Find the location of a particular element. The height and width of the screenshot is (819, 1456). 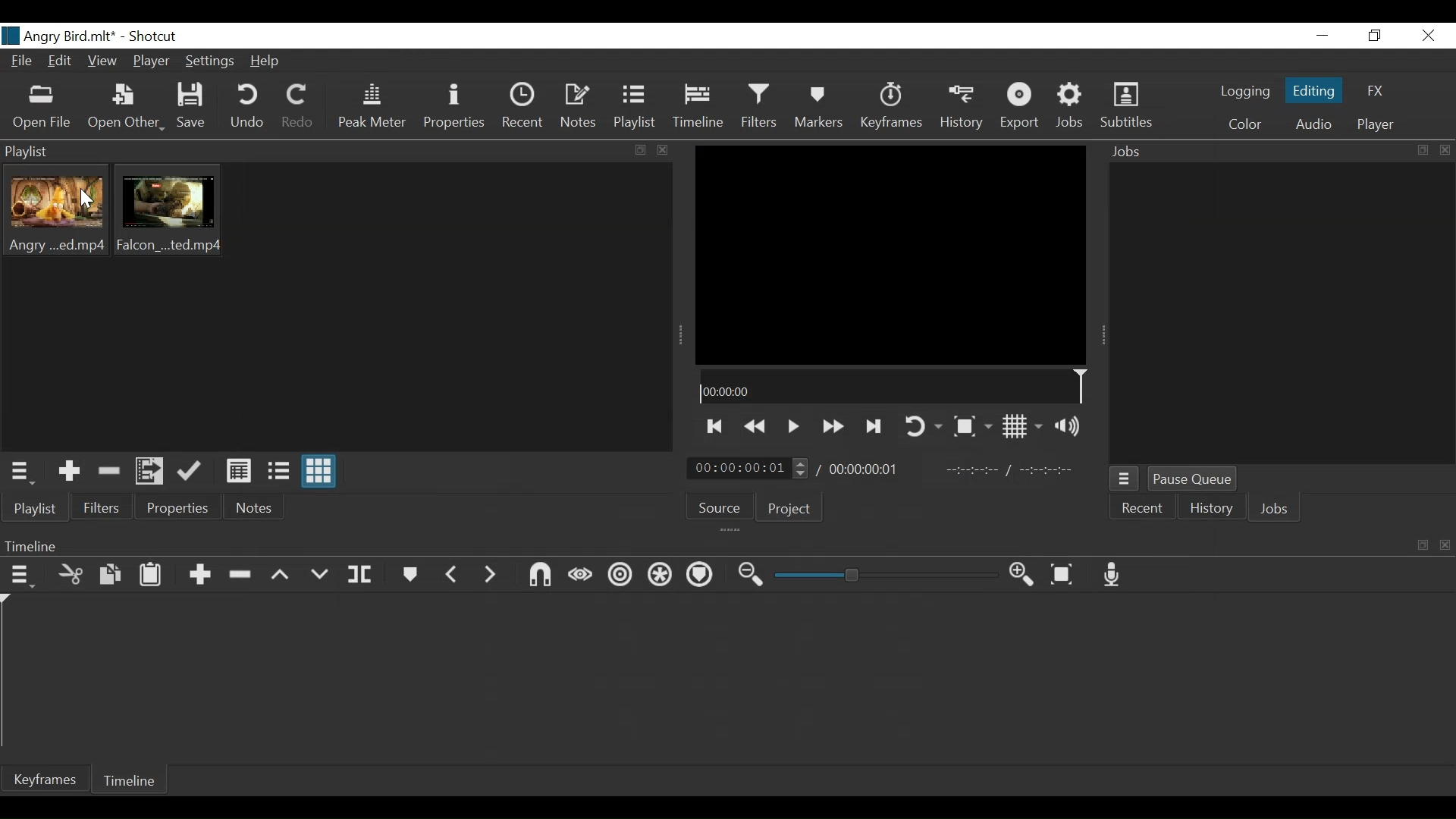

Recent is located at coordinates (524, 107).